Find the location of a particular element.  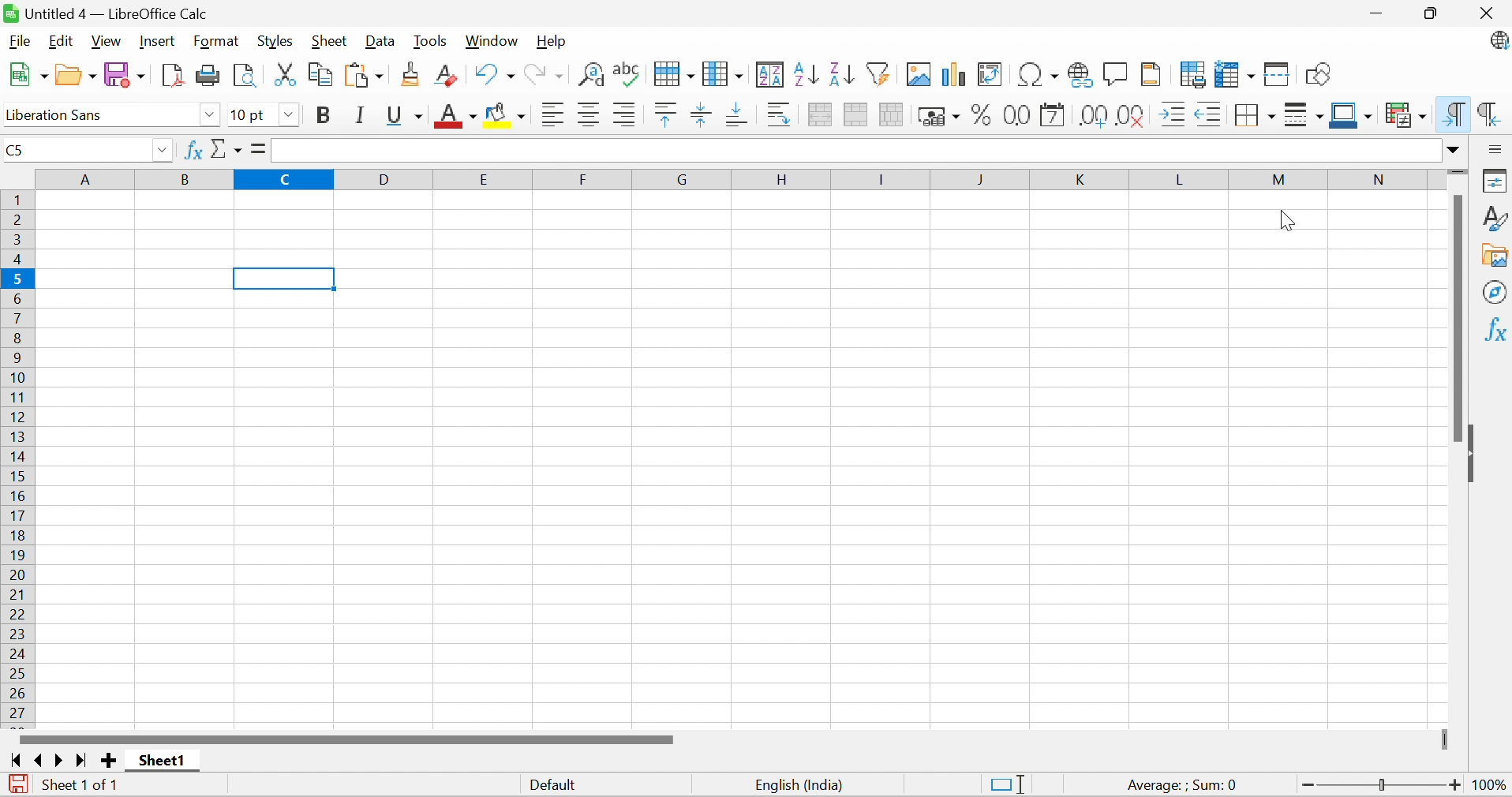

Spelling is located at coordinates (628, 75).